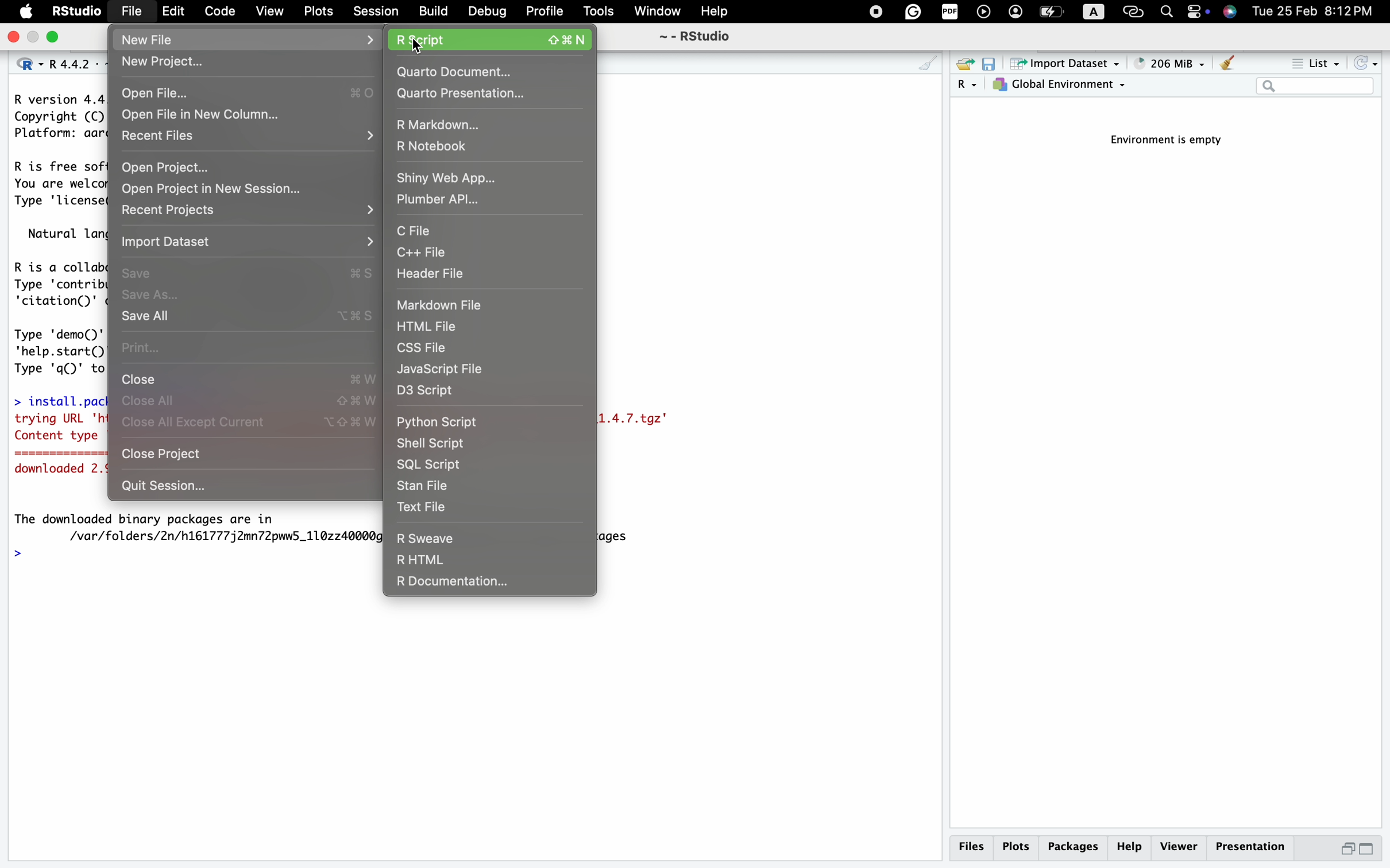 The width and height of the screenshot is (1390, 868). I want to click on quarto document, so click(491, 71).